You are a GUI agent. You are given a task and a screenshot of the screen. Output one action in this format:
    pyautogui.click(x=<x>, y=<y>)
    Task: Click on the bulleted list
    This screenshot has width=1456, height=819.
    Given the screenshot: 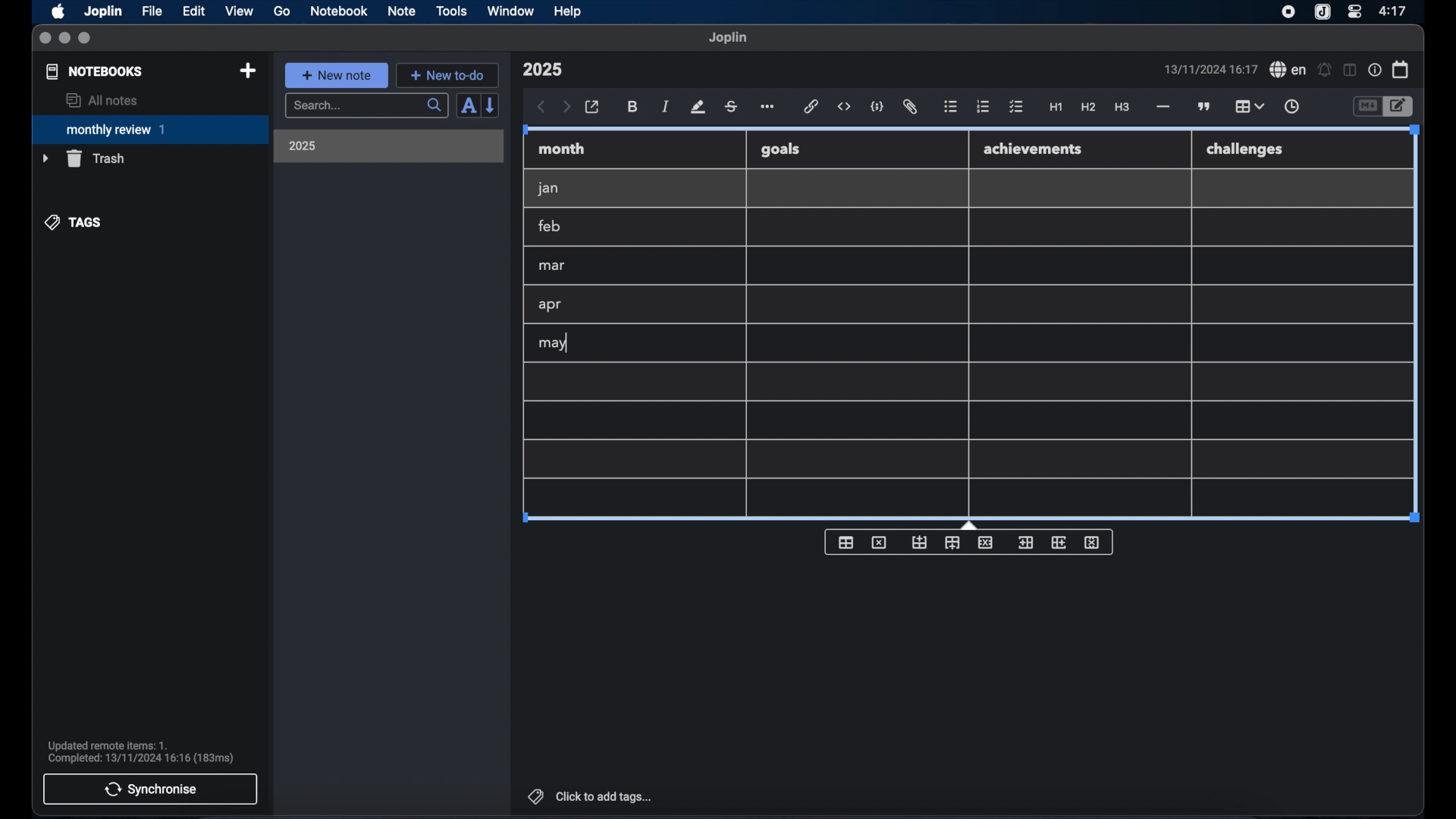 What is the action you would take?
    pyautogui.click(x=950, y=107)
    